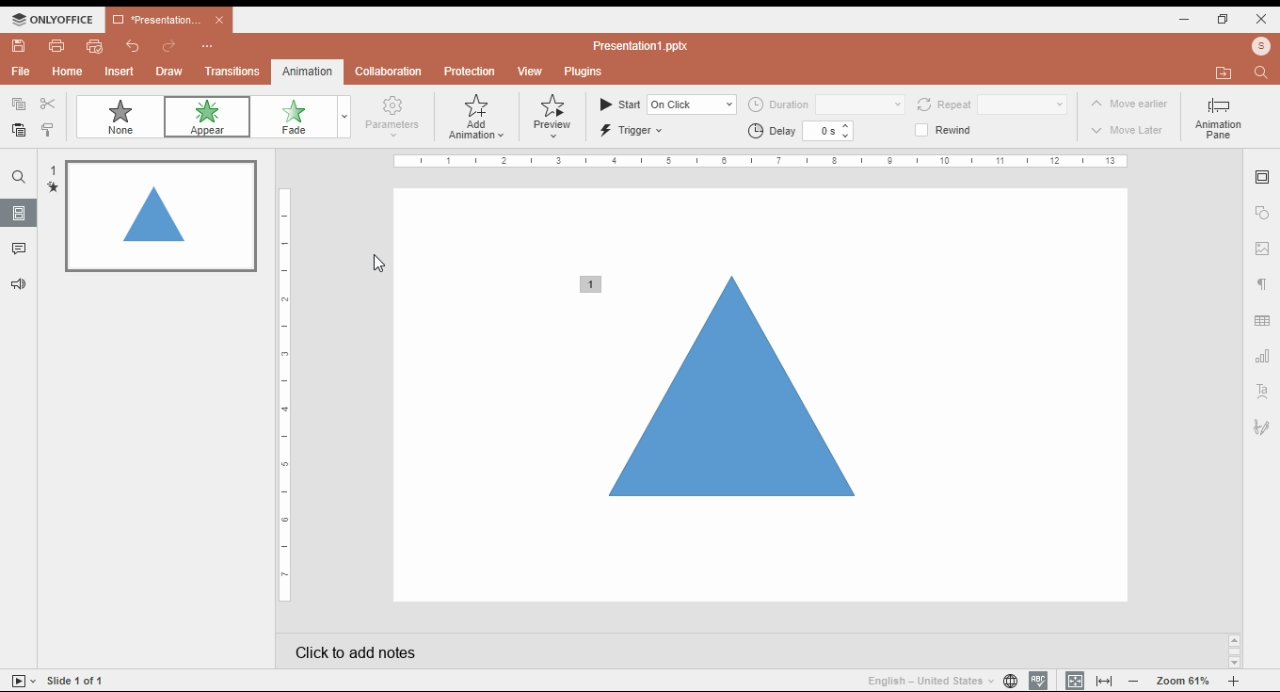 The image size is (1280, 692). What do you see at coordinates (282, 396) in the screenshot?
I see `vertical scale` at bounding box center [282, 396].